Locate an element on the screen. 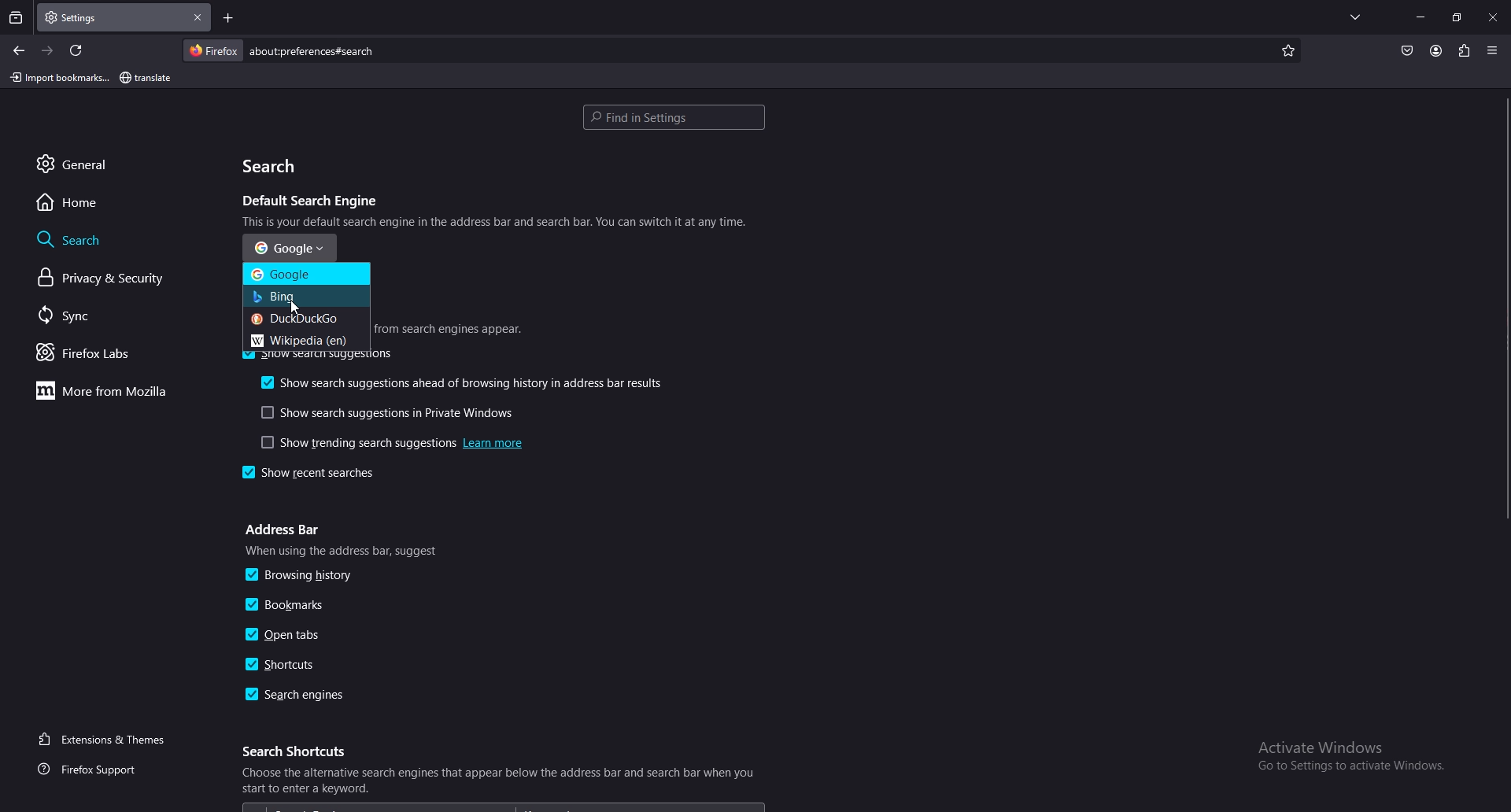  extensions is located at coordinates (1465, 51).